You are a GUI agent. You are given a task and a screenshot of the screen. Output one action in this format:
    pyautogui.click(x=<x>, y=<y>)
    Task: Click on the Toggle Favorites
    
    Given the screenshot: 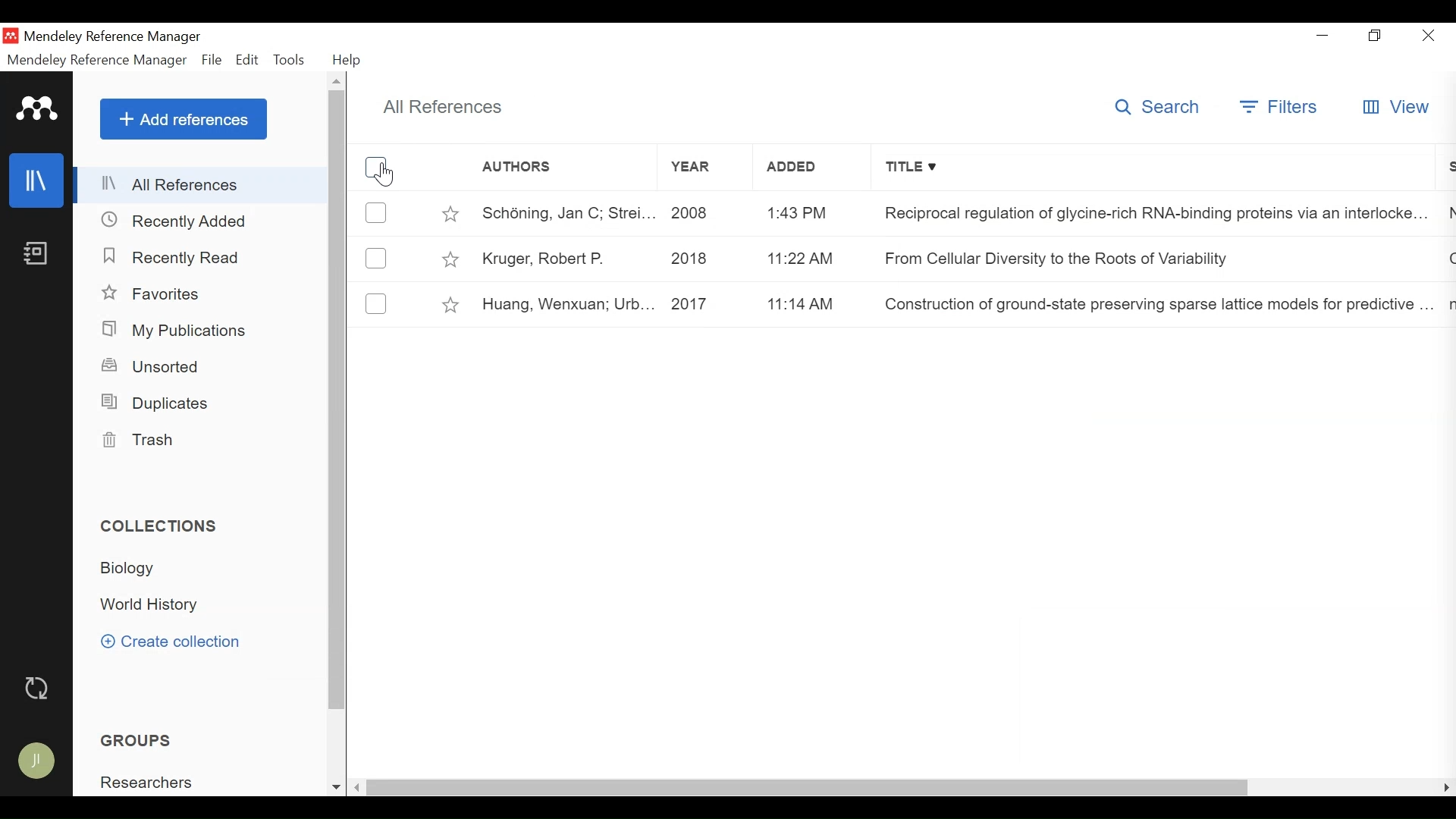 What is the action you would take?
    pyautogui.click(x=450, y=303)
    